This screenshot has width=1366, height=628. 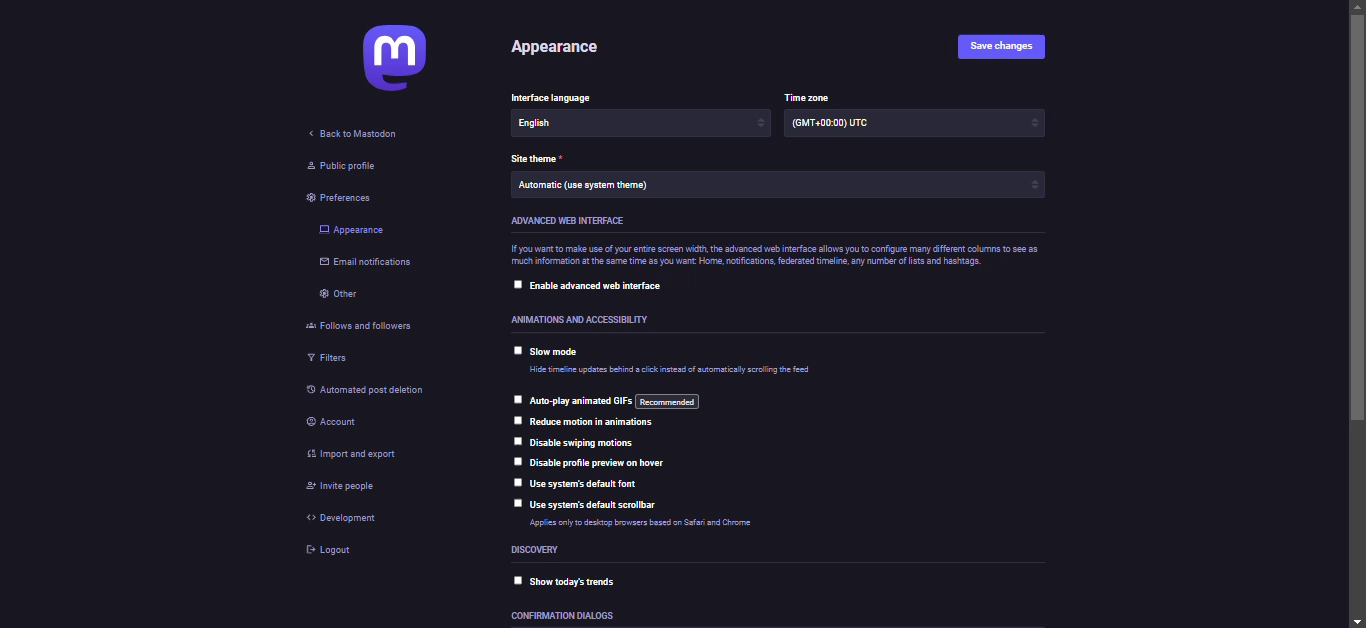 I want to click on invite people, so click(x=339, y=488).